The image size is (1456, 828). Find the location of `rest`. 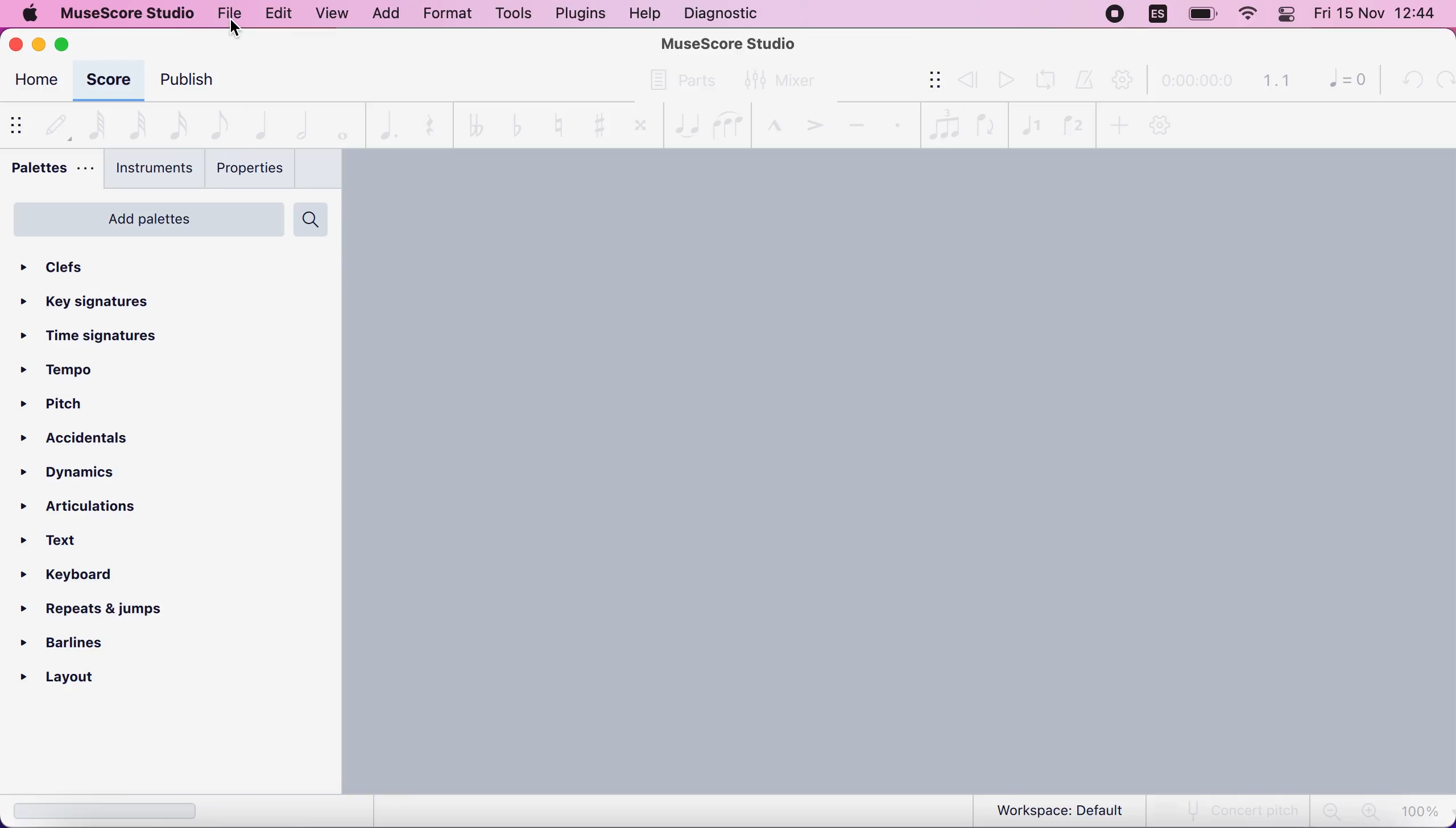

rest is located at coordinates (424, 126).